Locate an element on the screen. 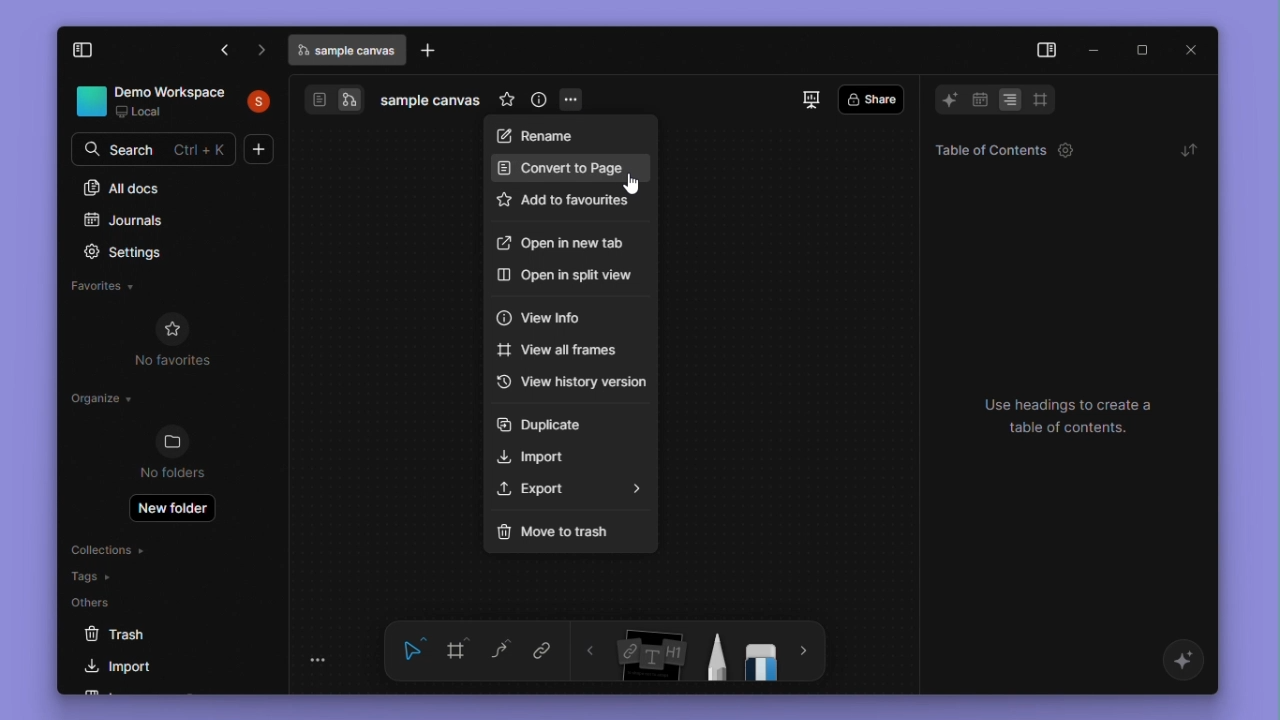 The height and width of the screenshot is (720, 1280). Open in split view is located at coordinates (567, 276).